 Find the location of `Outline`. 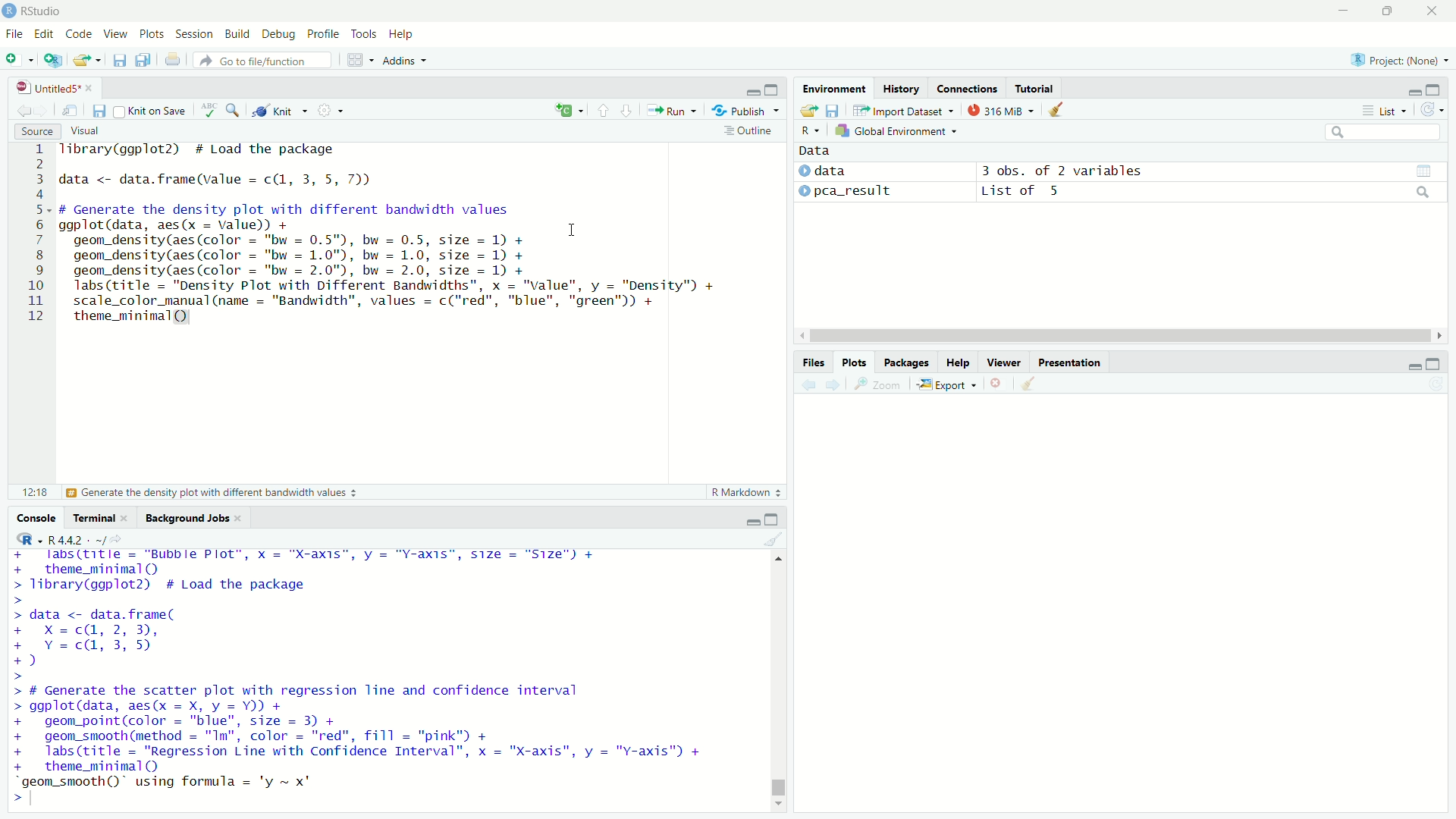

Outline is located at coordinates (752, 130).